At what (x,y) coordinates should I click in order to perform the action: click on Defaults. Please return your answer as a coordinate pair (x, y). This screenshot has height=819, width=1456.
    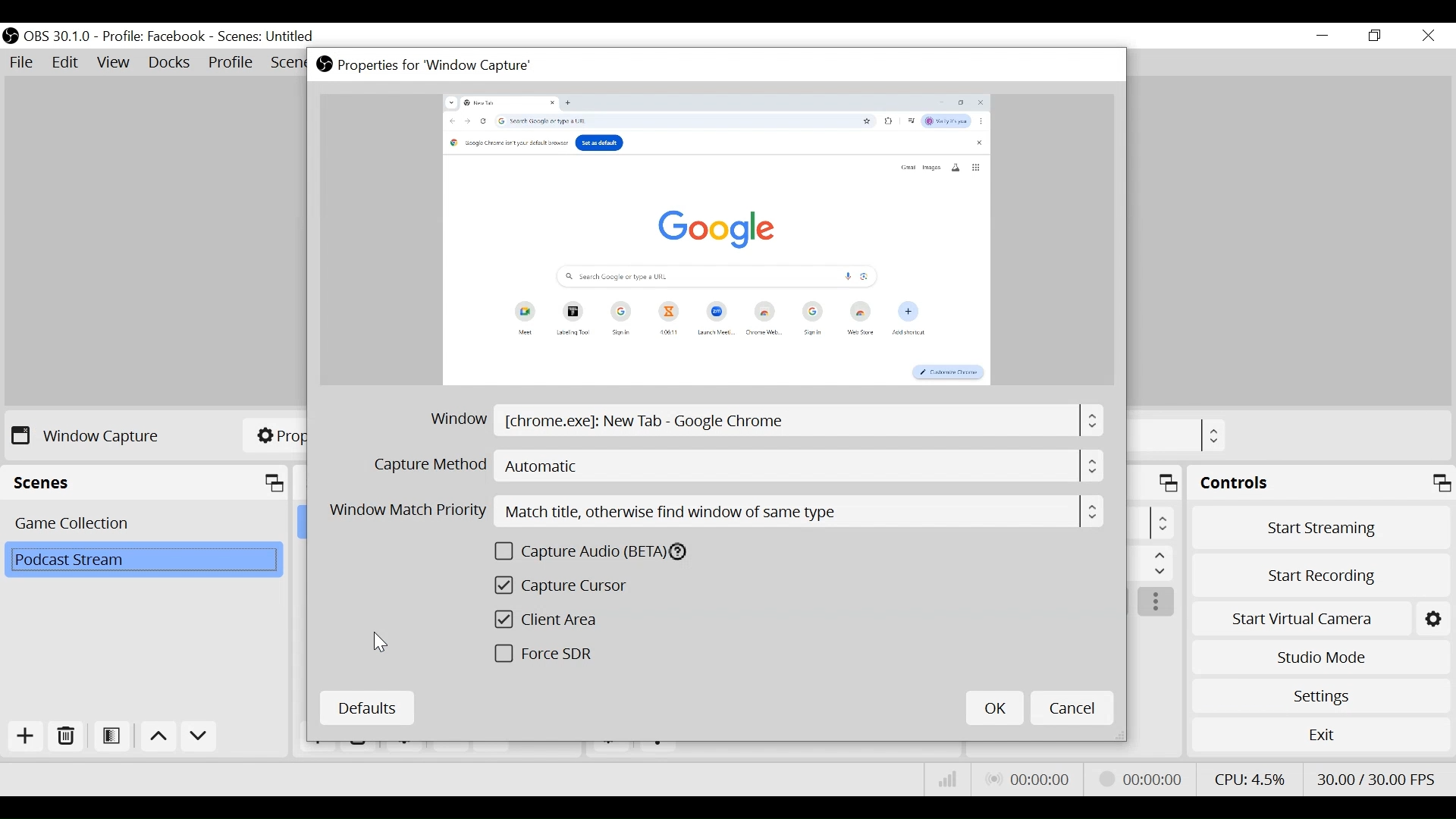
    Looking at the image, I should click on (369, 707).